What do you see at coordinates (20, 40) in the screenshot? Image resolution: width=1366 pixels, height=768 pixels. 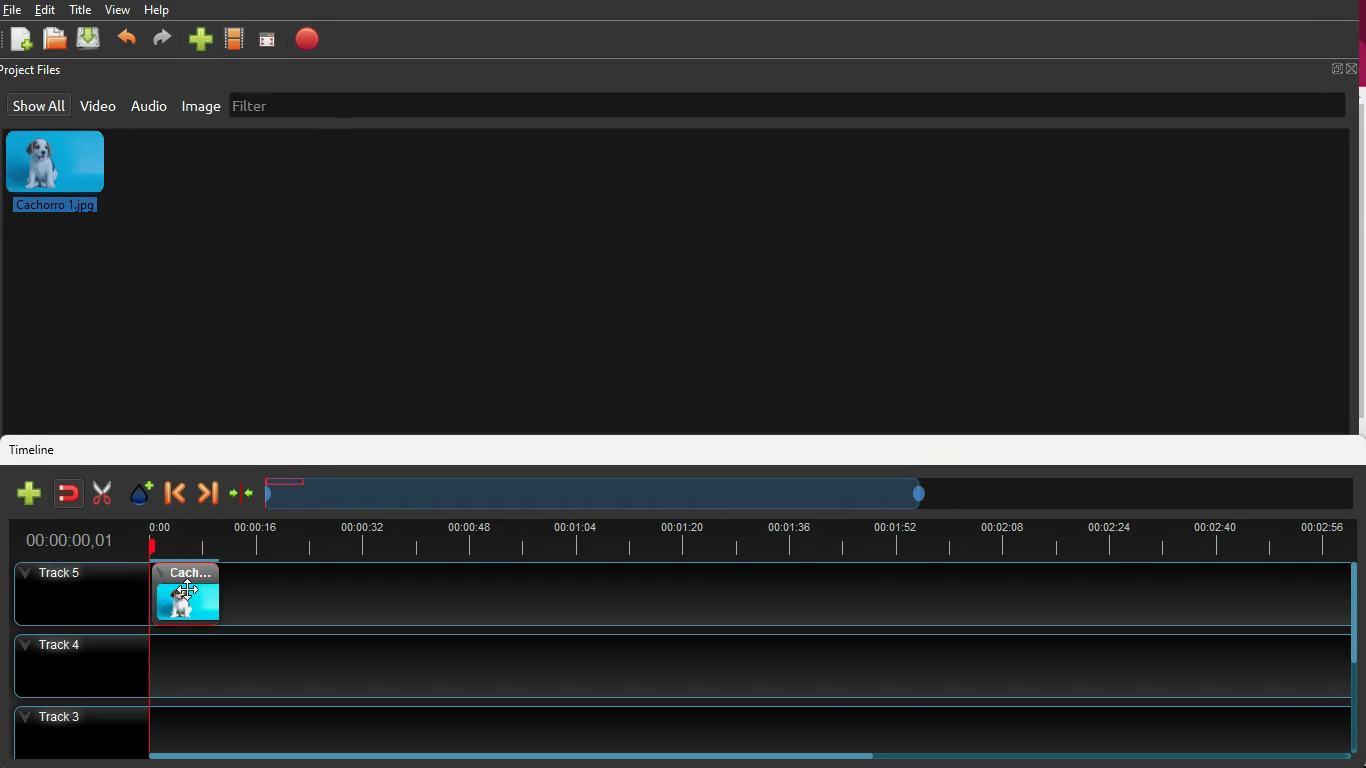 I see `new` at bounding box center [20, 40].